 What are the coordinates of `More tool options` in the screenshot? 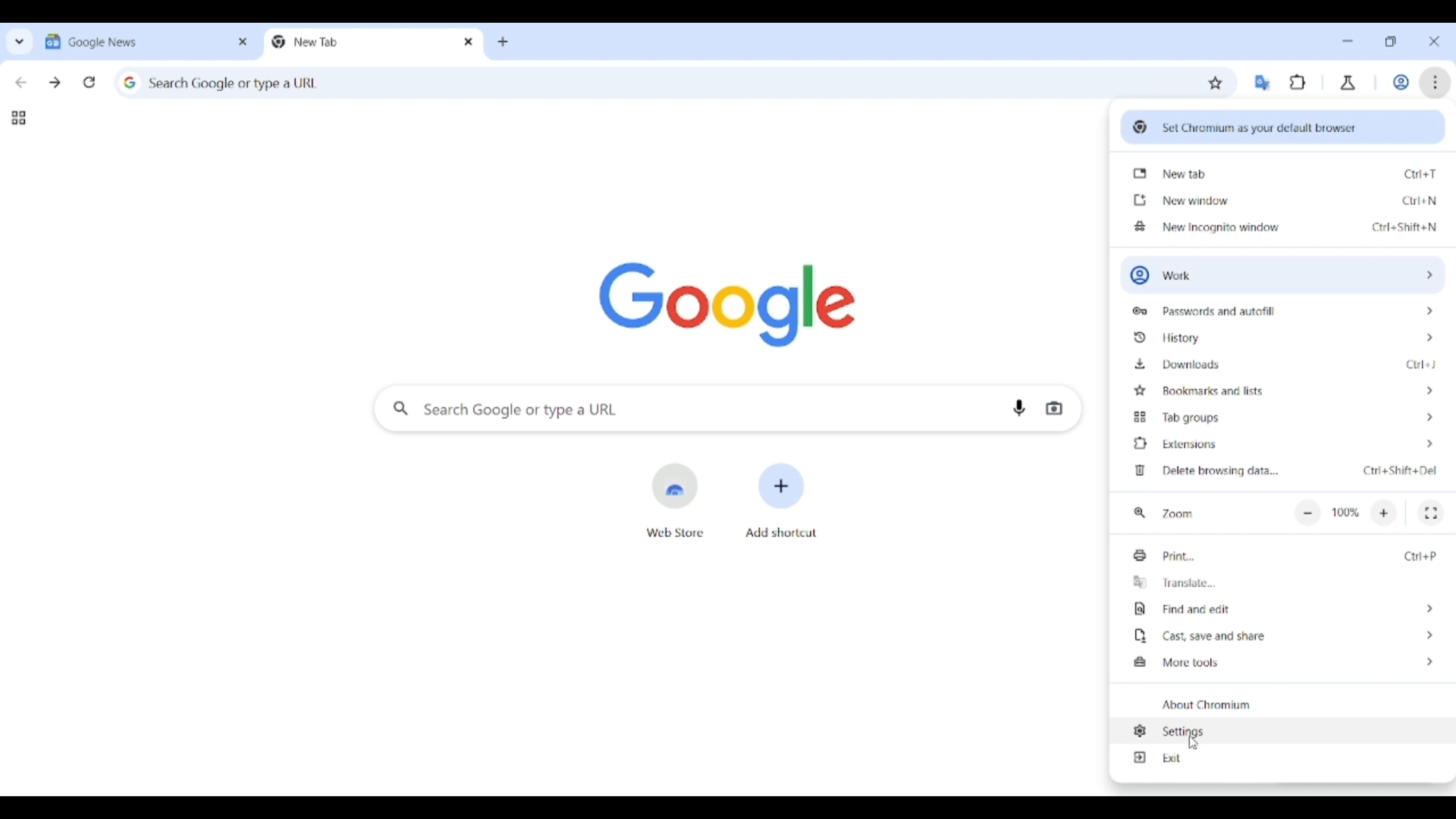 It's located at (1283, 662).